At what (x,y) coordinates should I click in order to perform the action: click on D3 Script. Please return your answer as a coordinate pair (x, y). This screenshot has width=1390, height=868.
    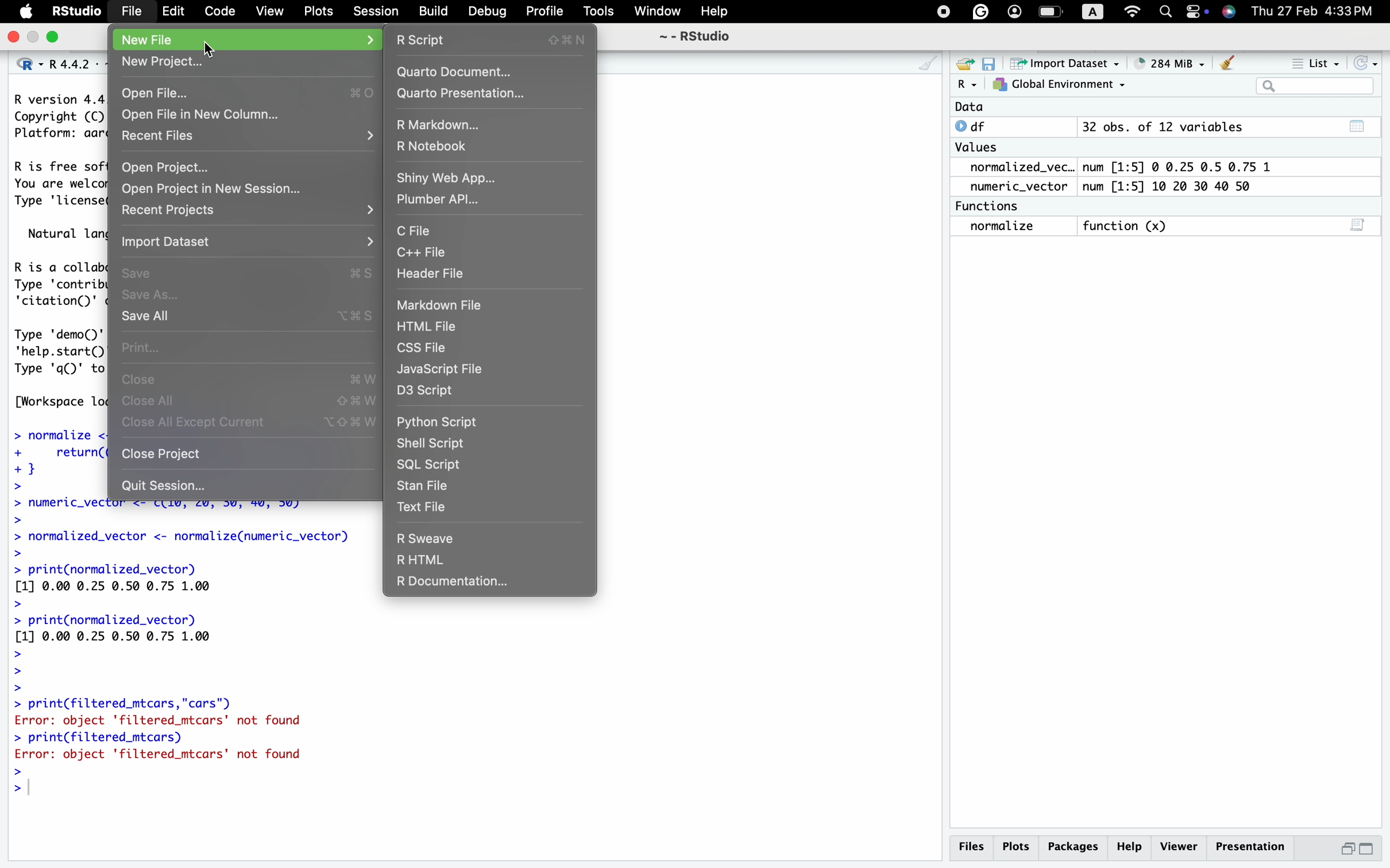
    Looking at the image, I should click on (435, 394).